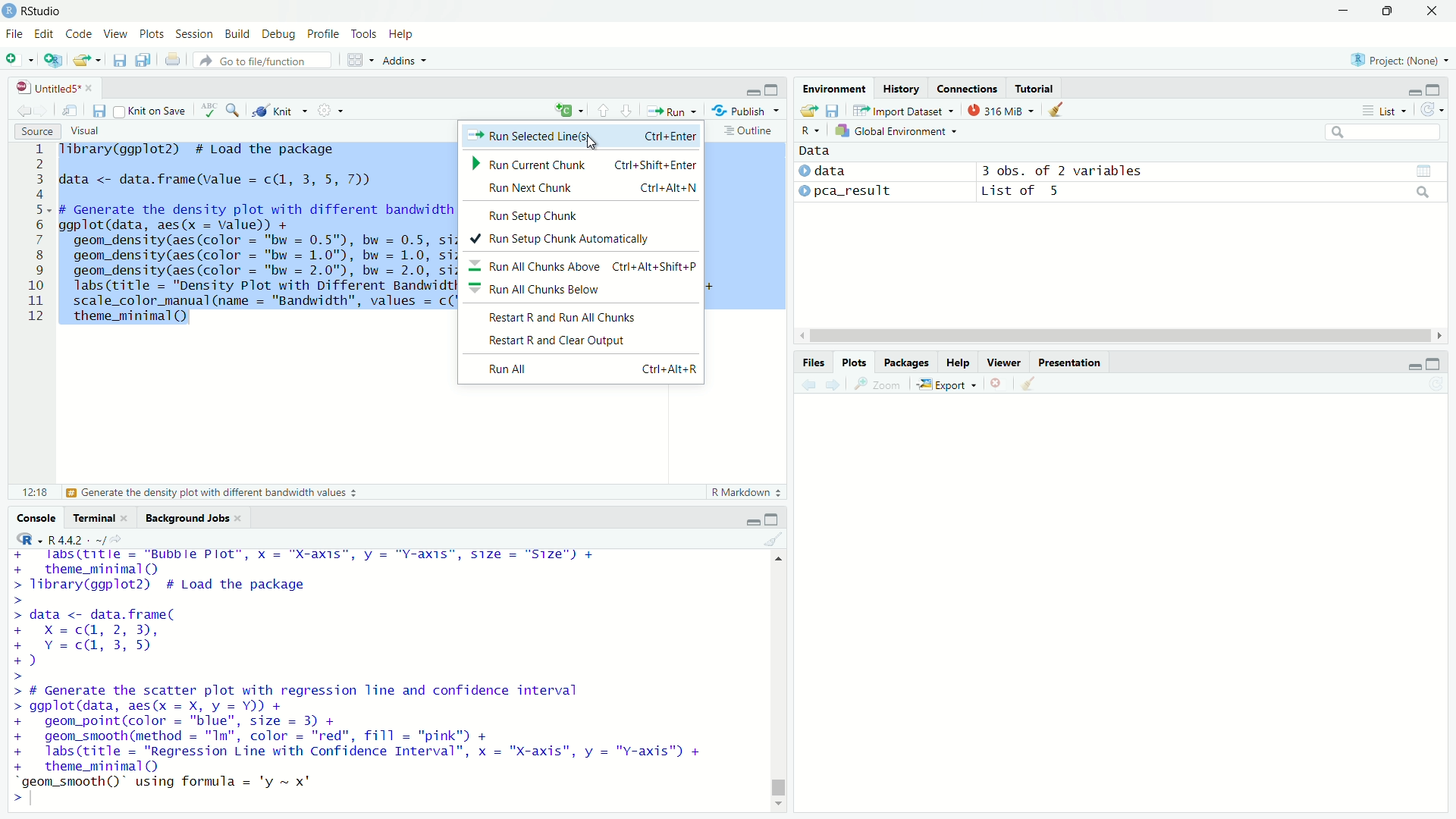 The height and width of the screenshot is (819, 1456). Describe the element at coordinates (237, 33) in the screenshot. I see `Build` at that location.